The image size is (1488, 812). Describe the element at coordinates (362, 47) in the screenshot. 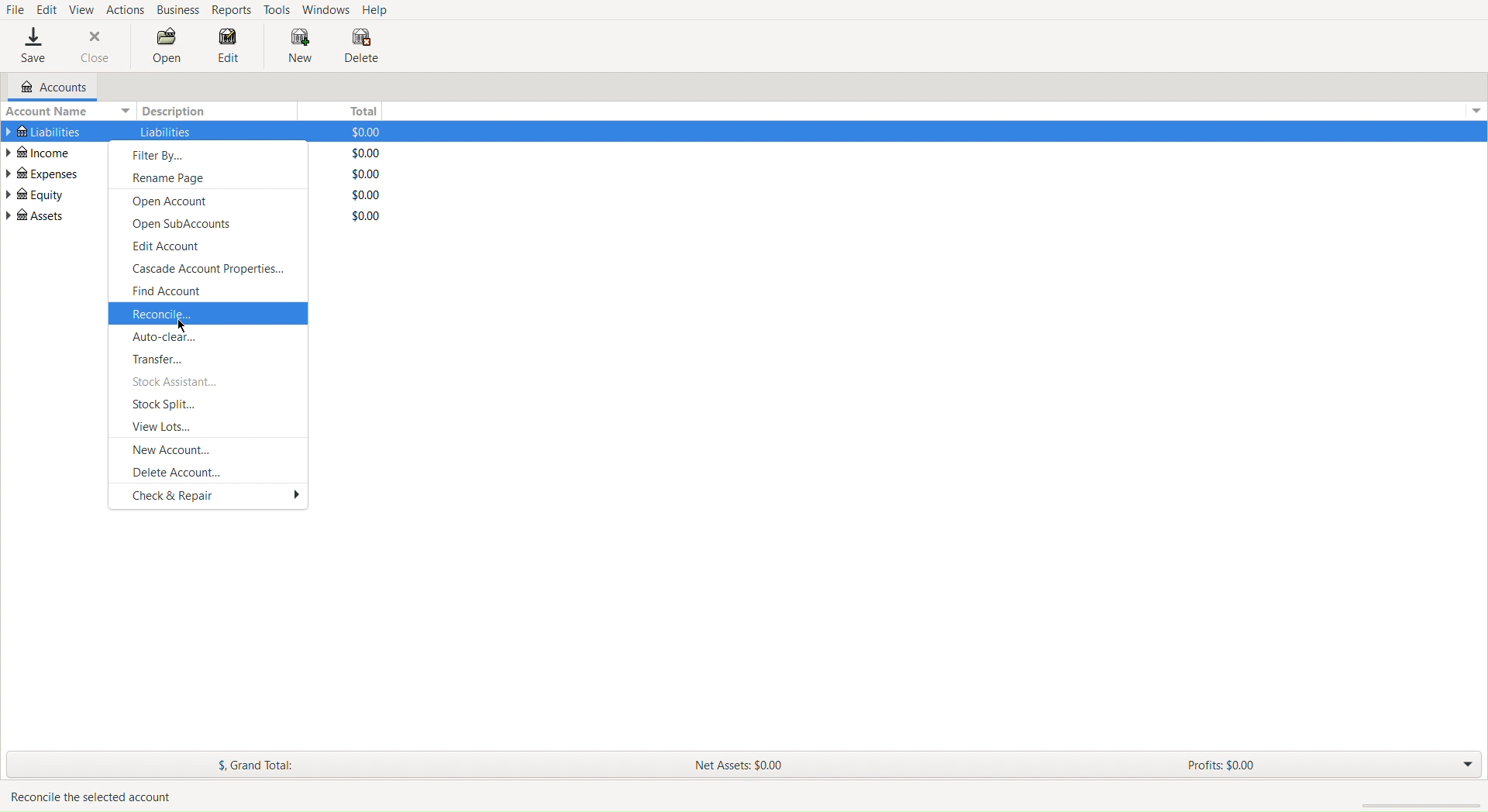

I see `Delete` at that location.